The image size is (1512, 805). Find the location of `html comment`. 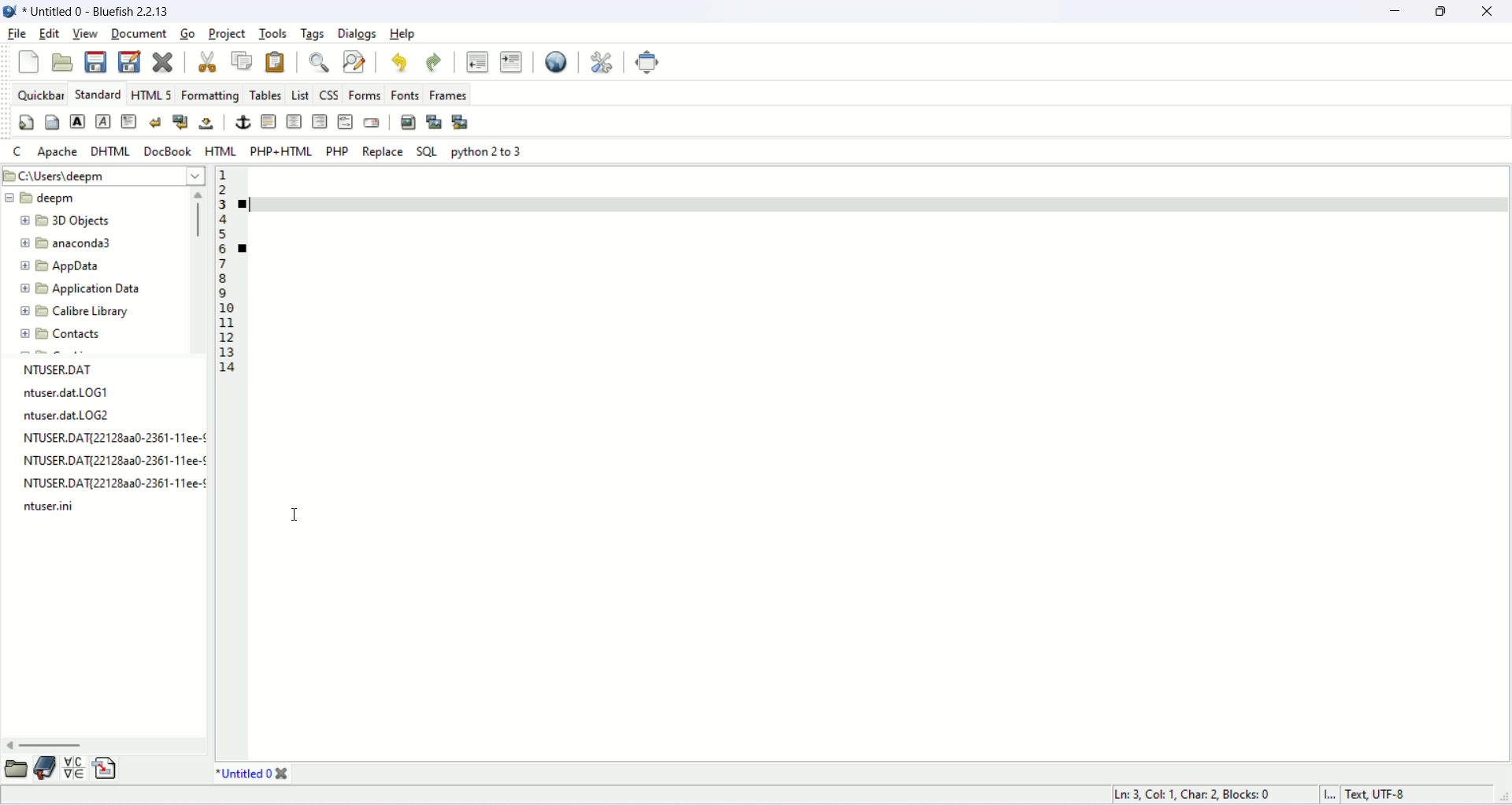

html comment is located at coordinates (345, 122).